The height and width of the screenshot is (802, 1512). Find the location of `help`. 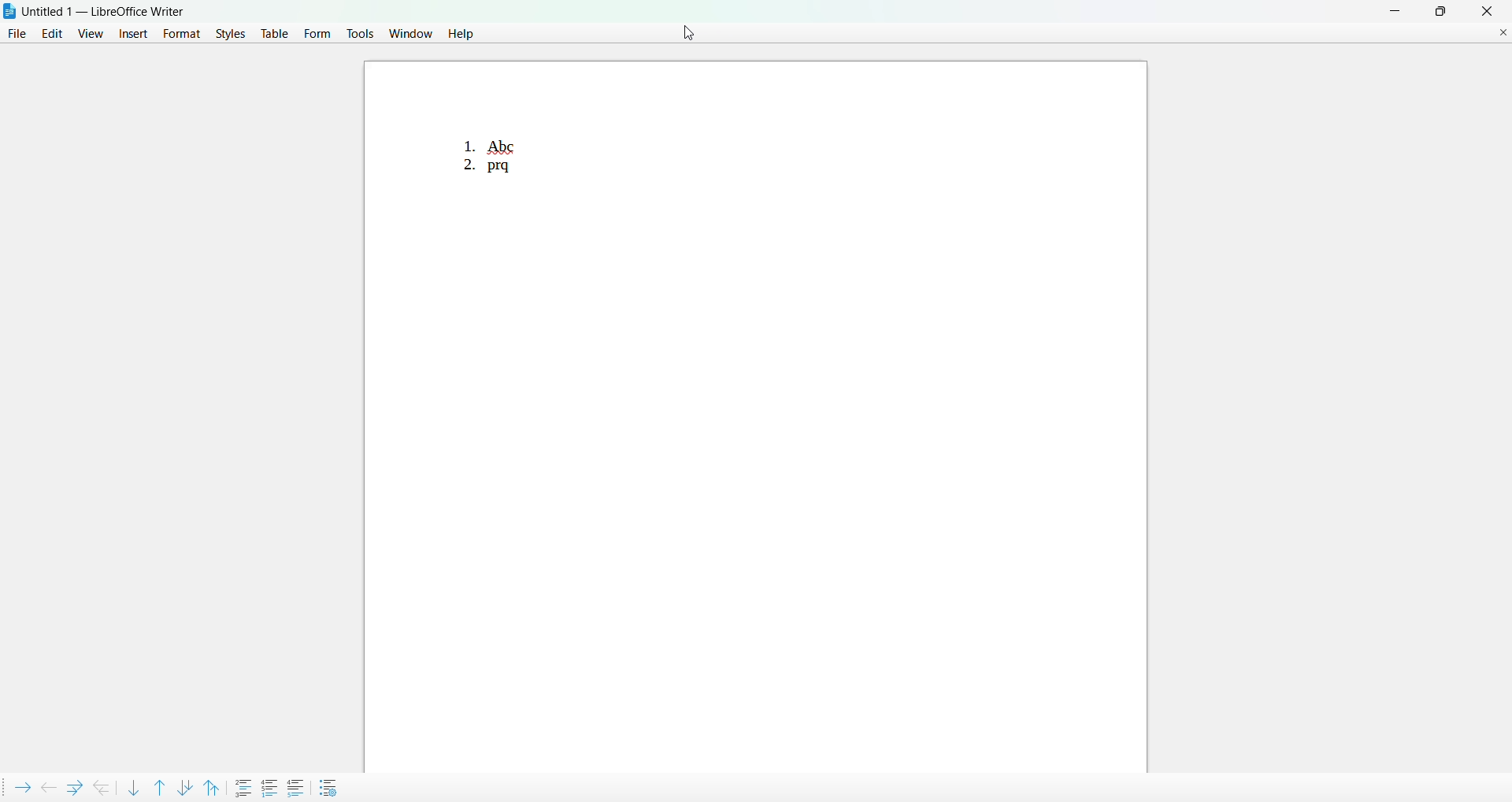

help is located at coordinates (459, 35).